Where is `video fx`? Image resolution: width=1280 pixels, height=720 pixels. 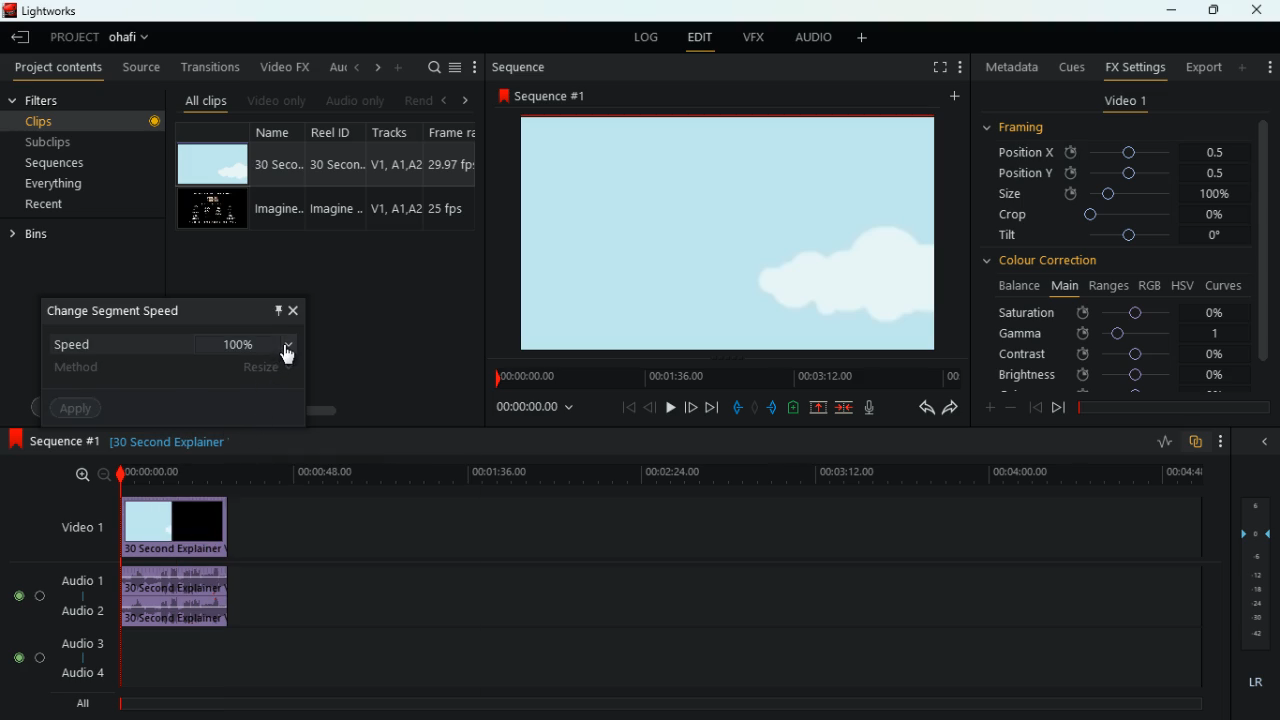 video fx is located at coordinates (283, 66).